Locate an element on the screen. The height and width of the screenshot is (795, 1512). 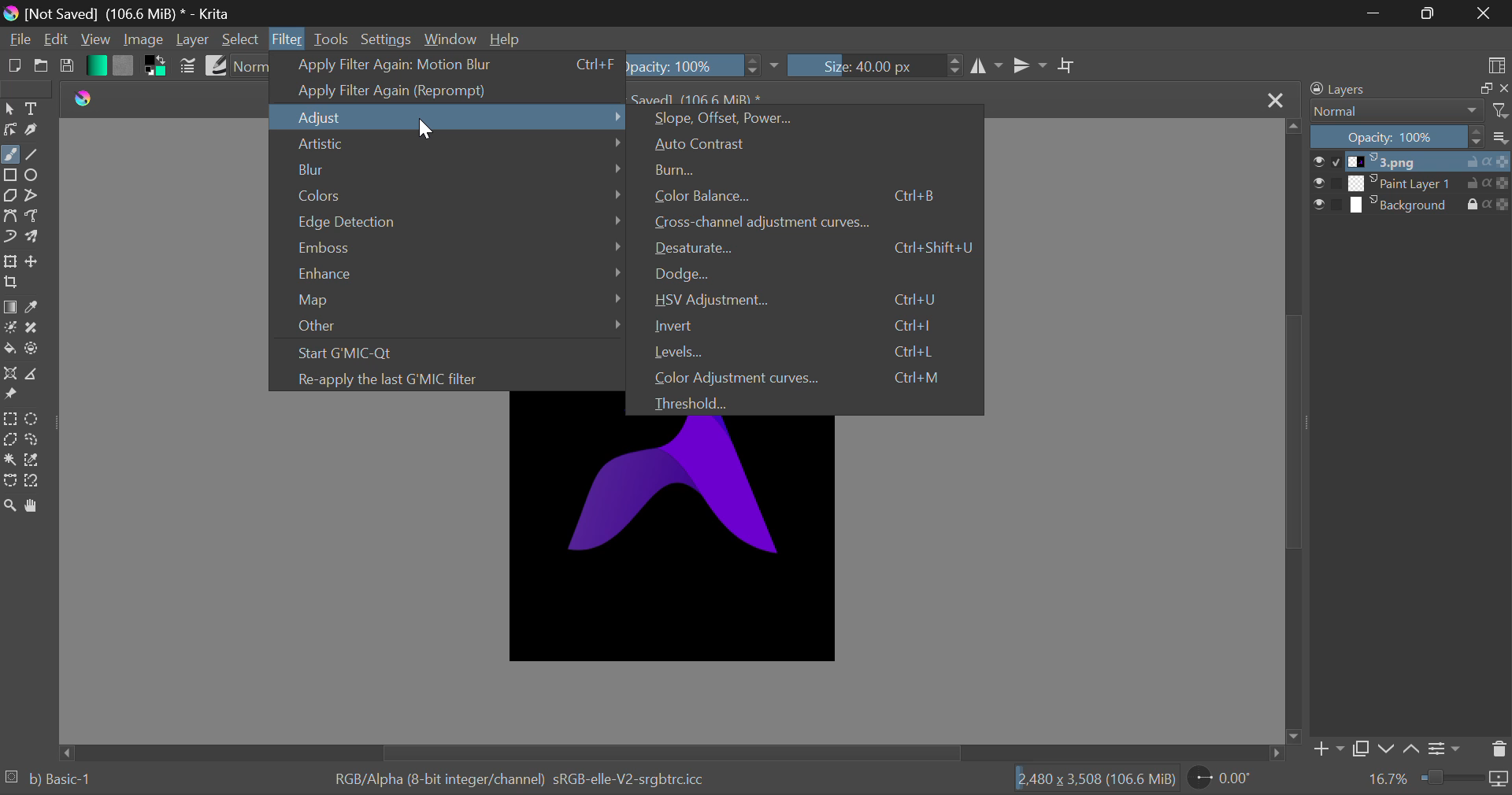
Bezier Curve is located at coordinates (13, 217).